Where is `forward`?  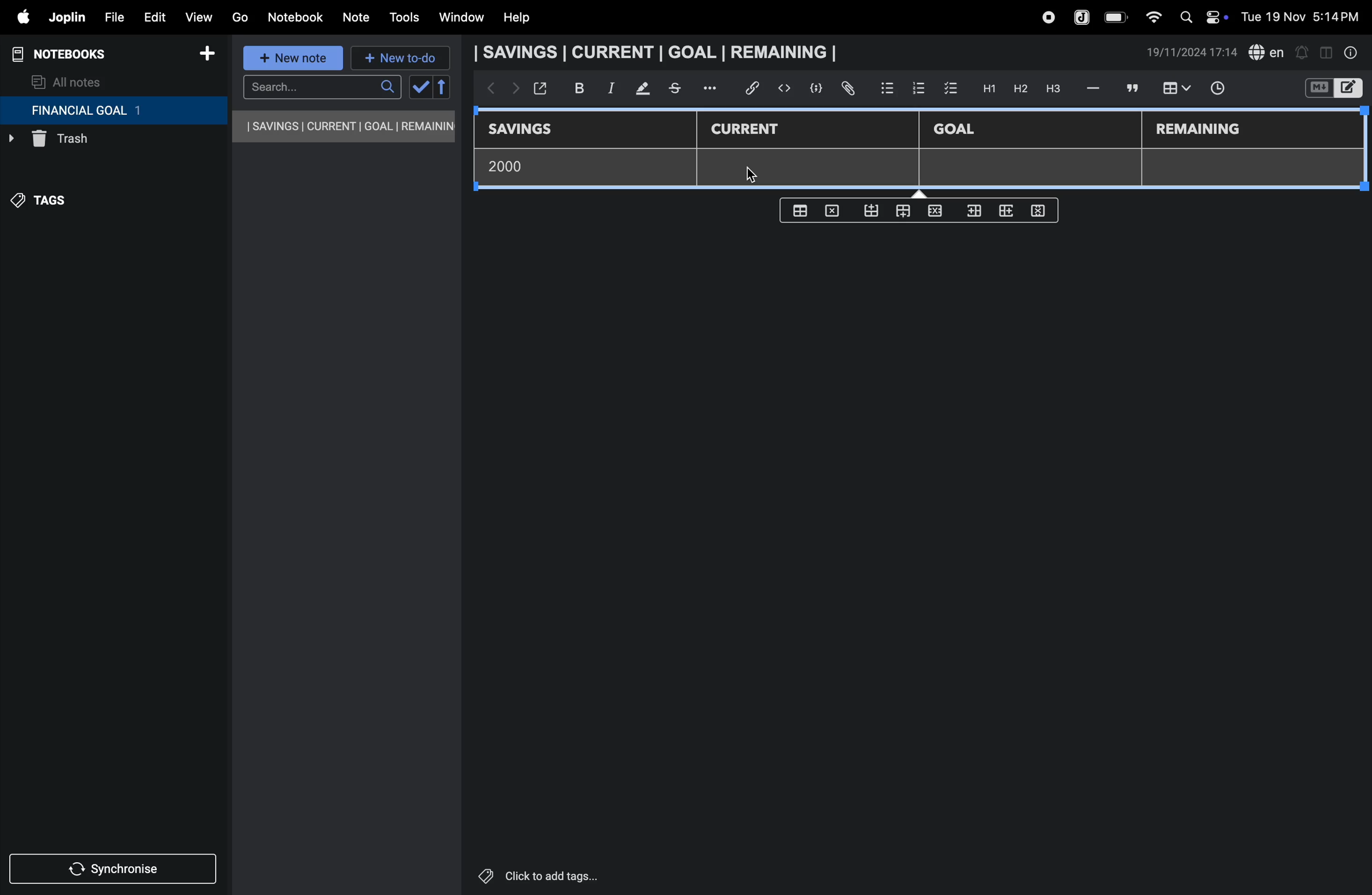
forward is located at coordinates (512, 91).